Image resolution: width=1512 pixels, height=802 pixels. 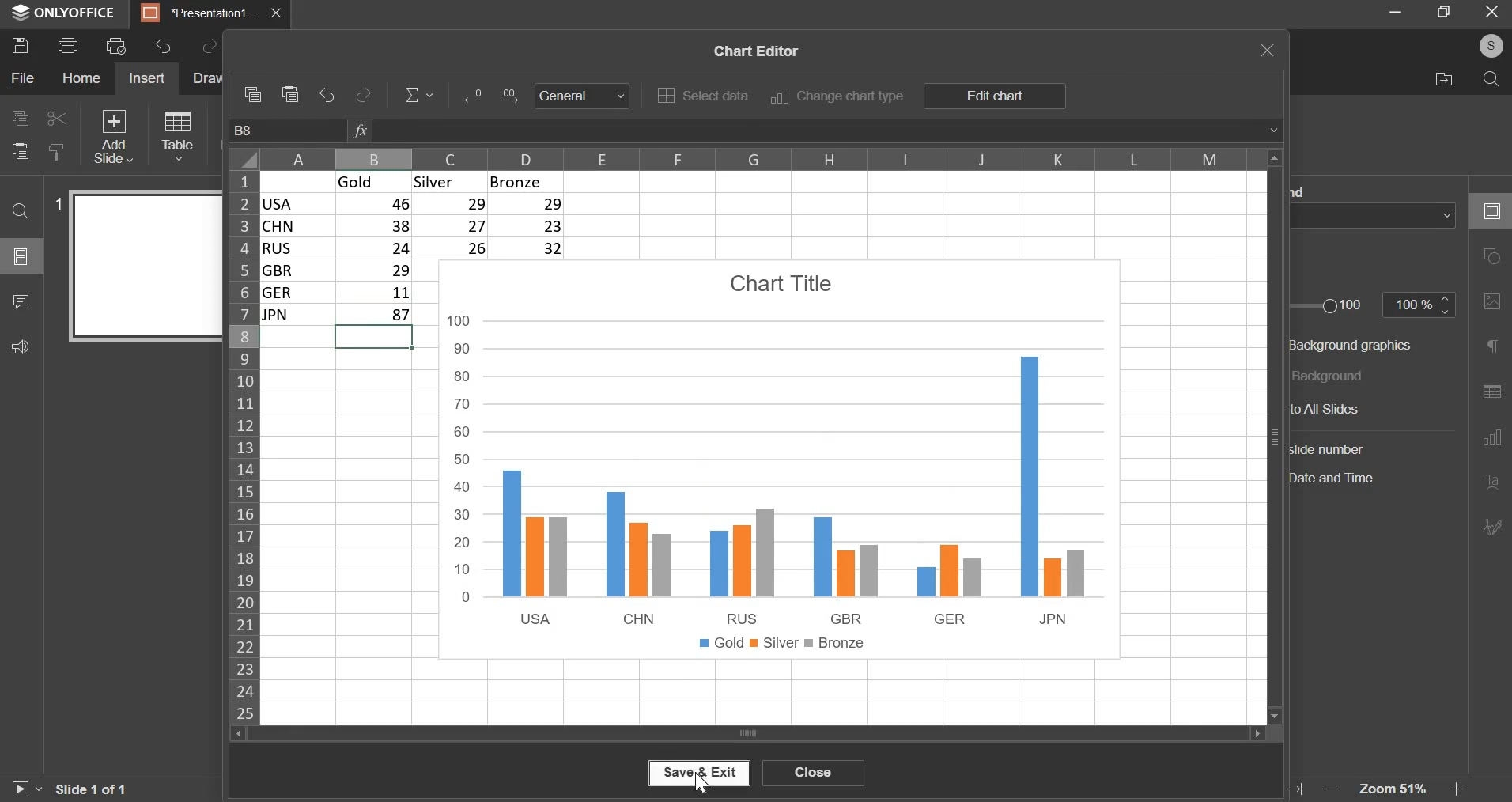 What do you see at coordinates (244, 445) in the screenshot?
I see `rows` at bounding box center [244, 445].